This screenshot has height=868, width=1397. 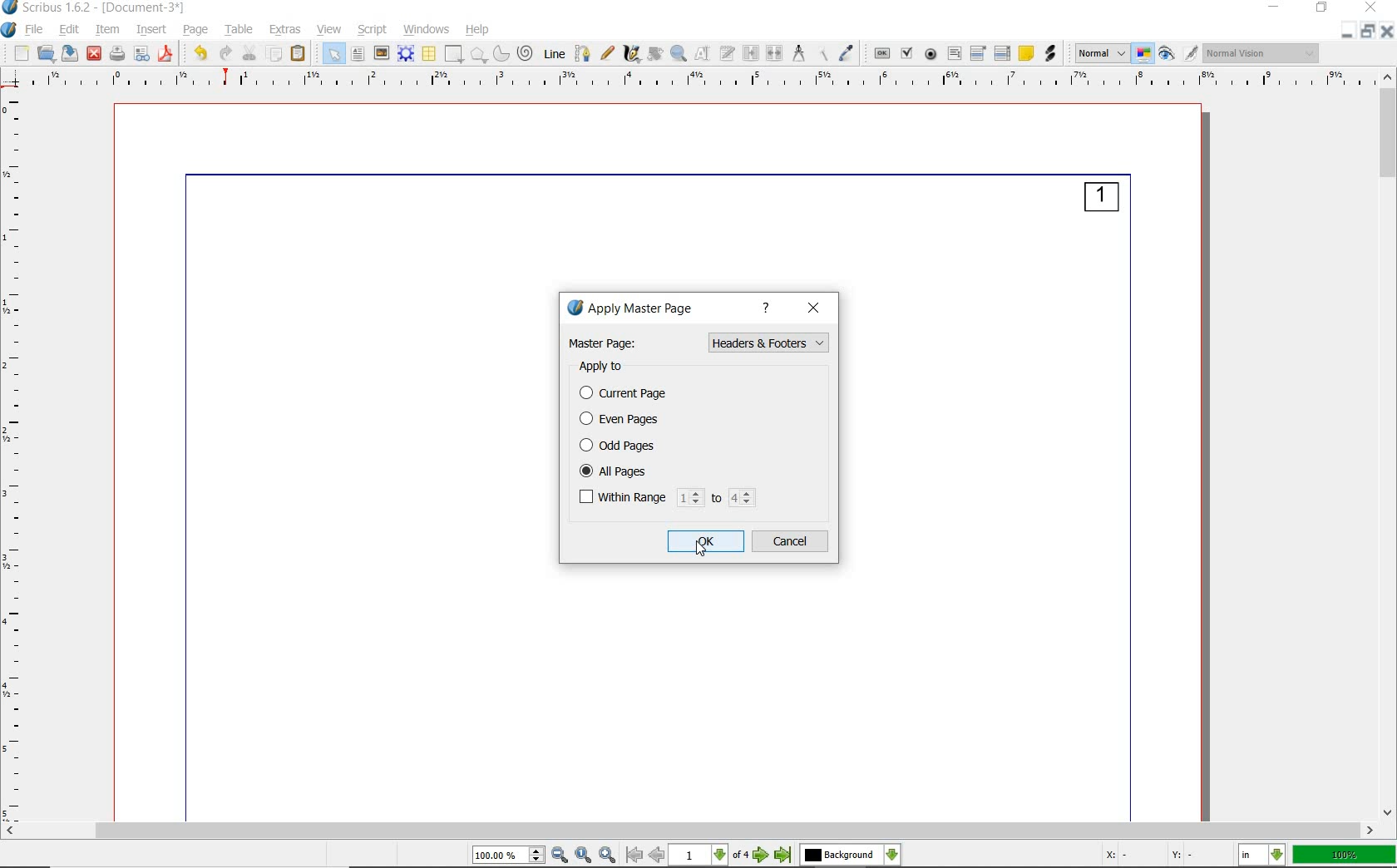 What do you see at coordinates (783, 856) in the screenshot?
I see `go to last page` at bounding box center [783, 856].